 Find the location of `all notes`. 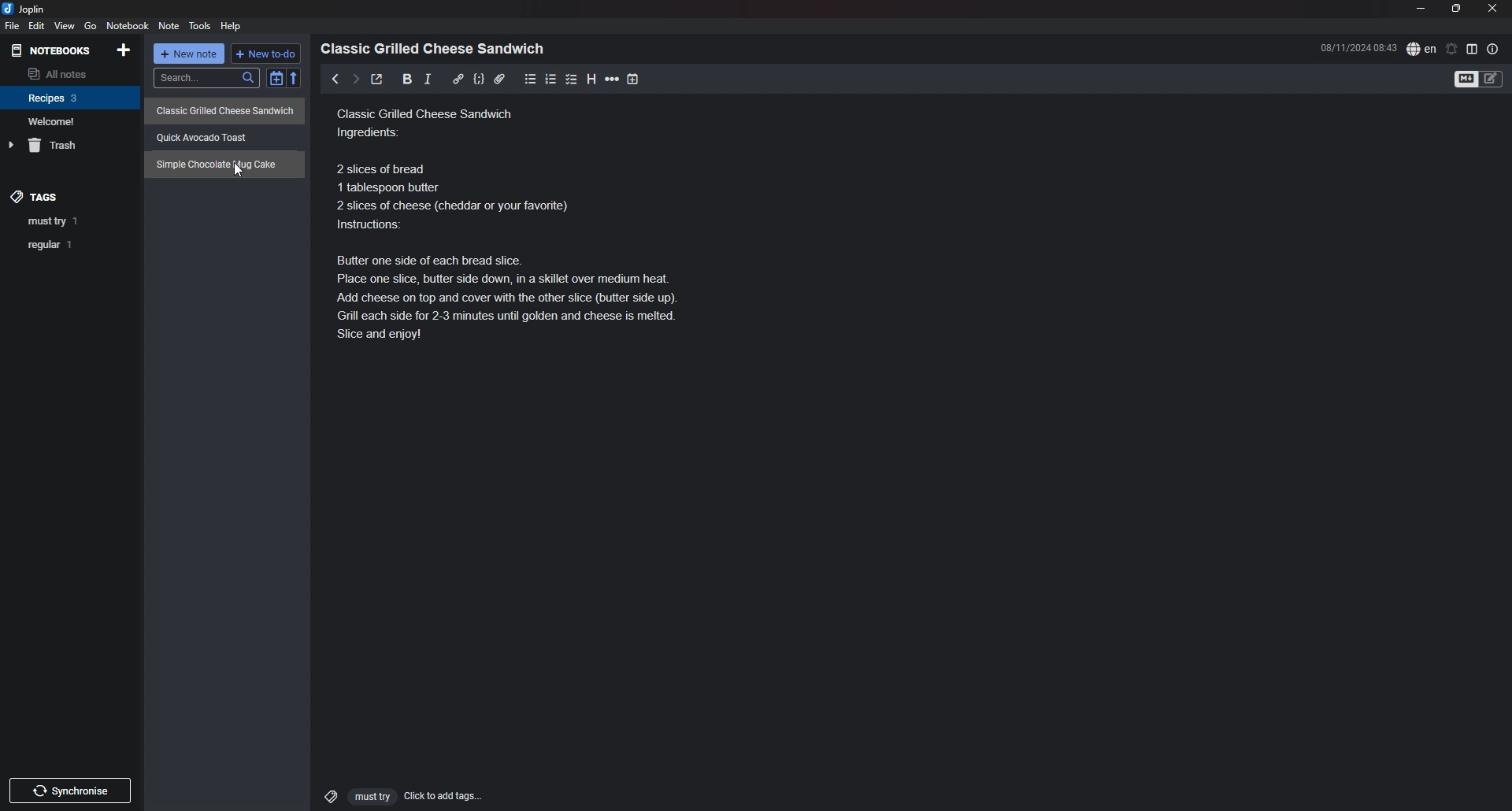

all notes is located at coordinates (68, 73).